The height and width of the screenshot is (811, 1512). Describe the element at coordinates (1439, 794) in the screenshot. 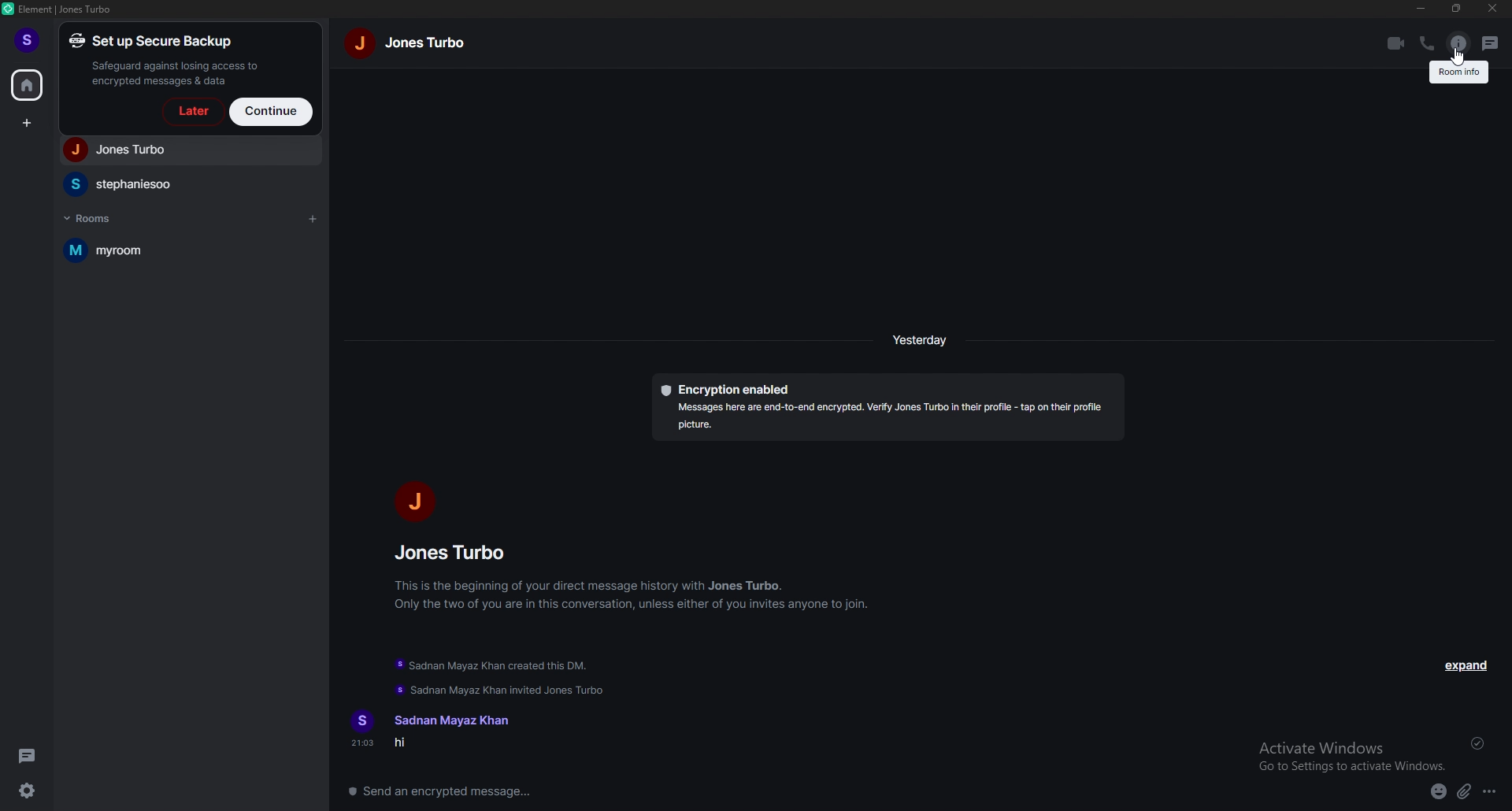

I see `emoji` at that location.